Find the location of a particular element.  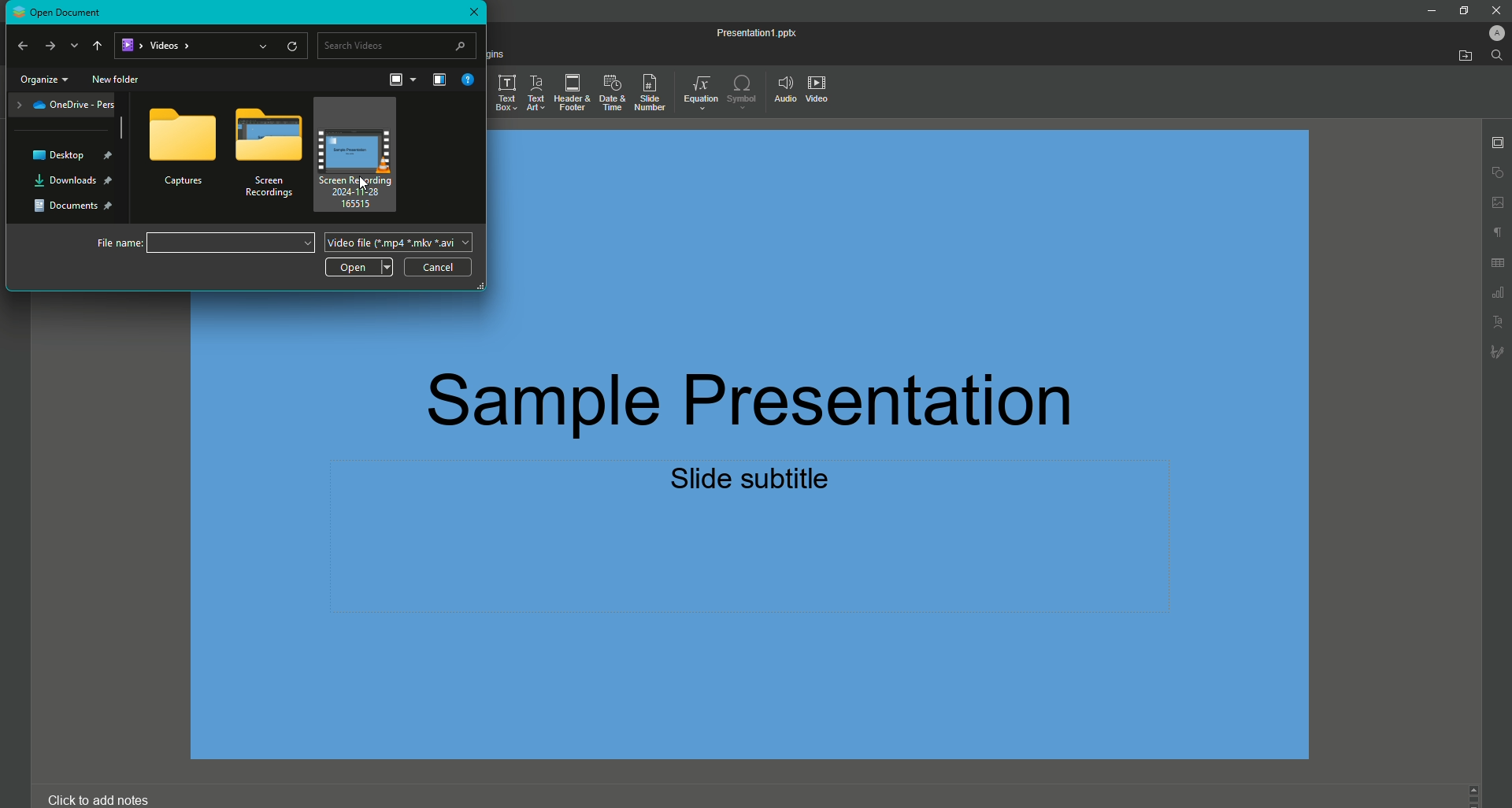

View mode is located at coordinates (401, 79).